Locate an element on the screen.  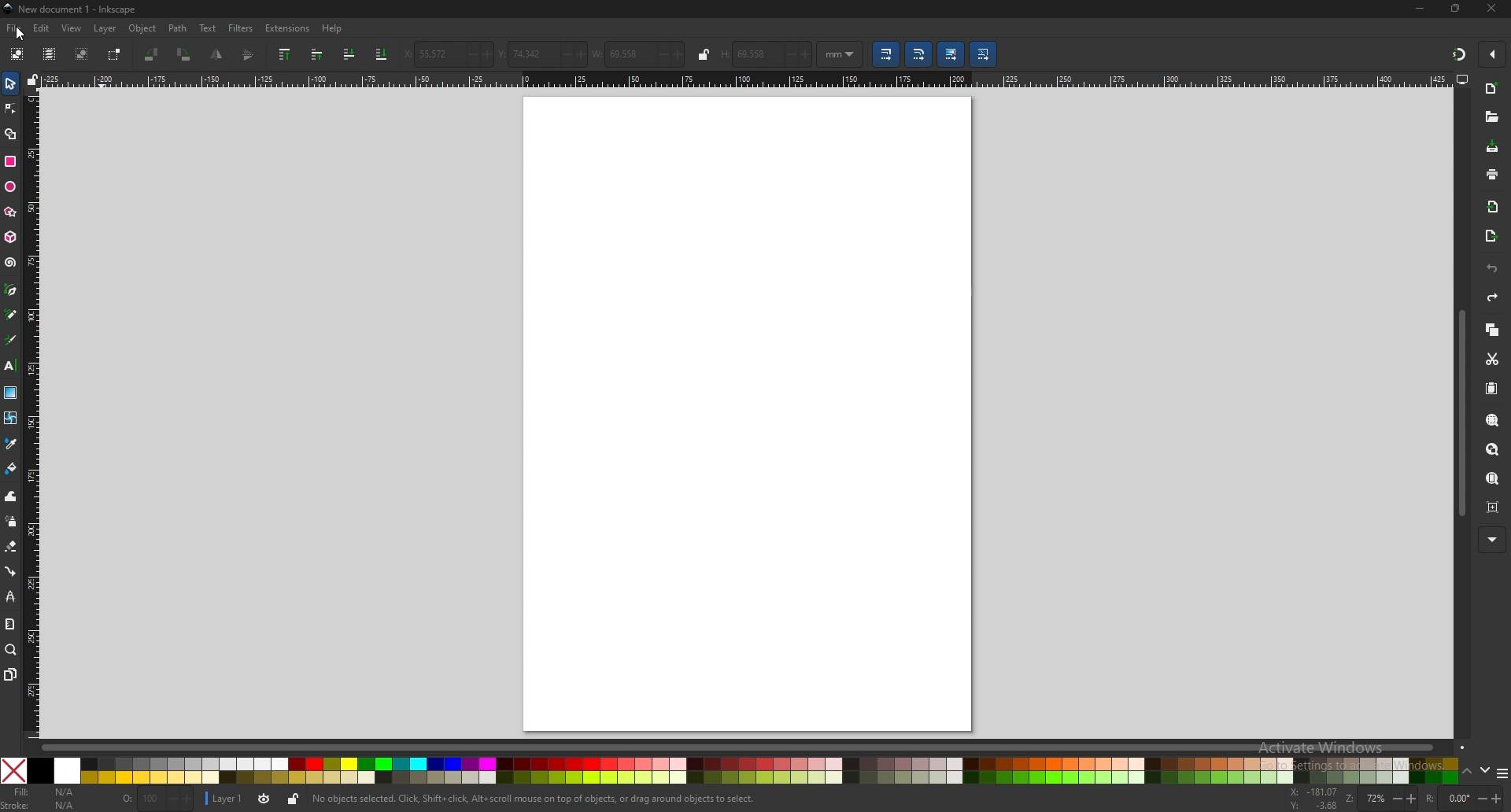
3d box is located at coordinates (9, 238).